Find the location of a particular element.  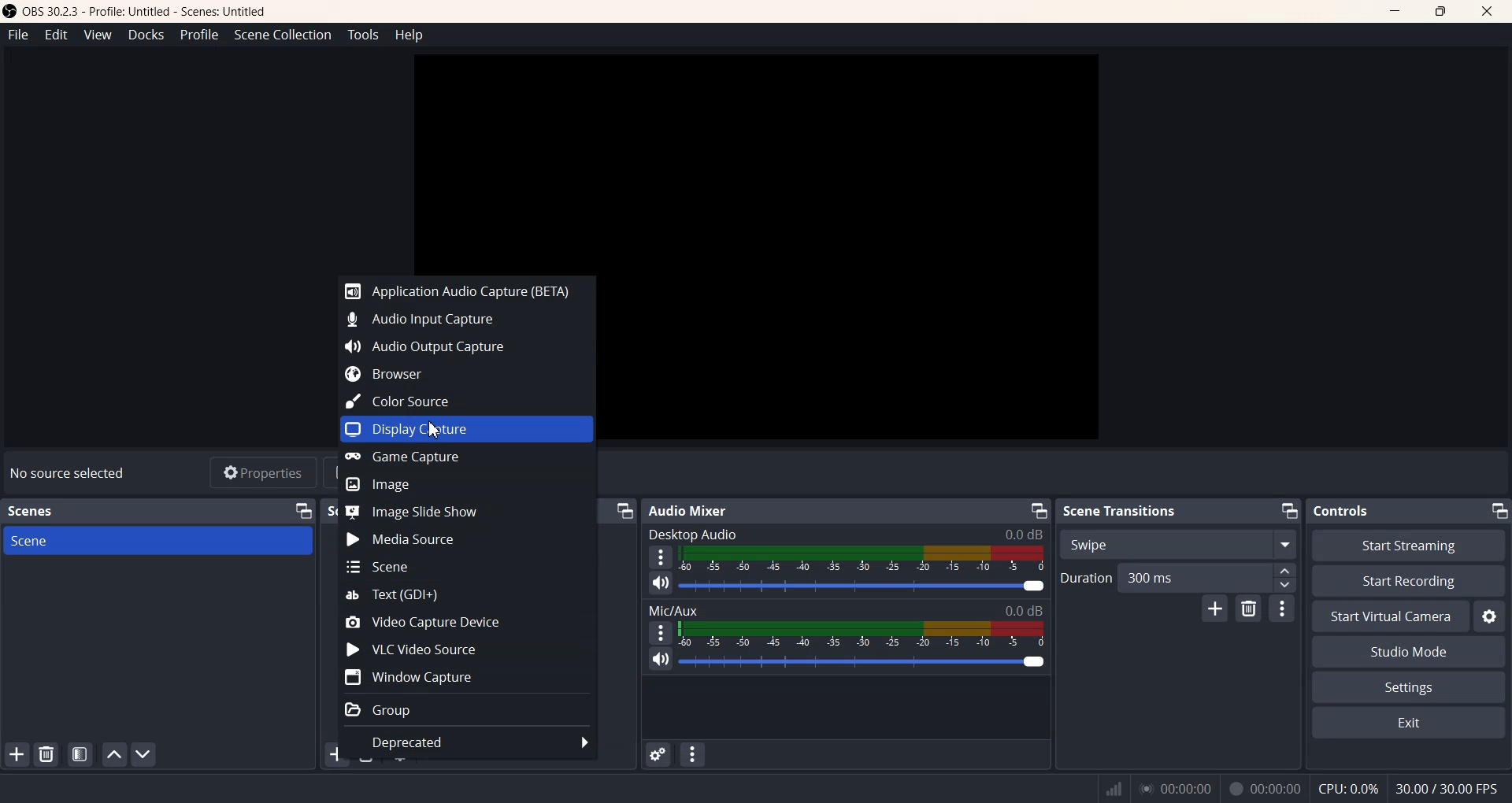

Properties is located at coordinates (262, 472).